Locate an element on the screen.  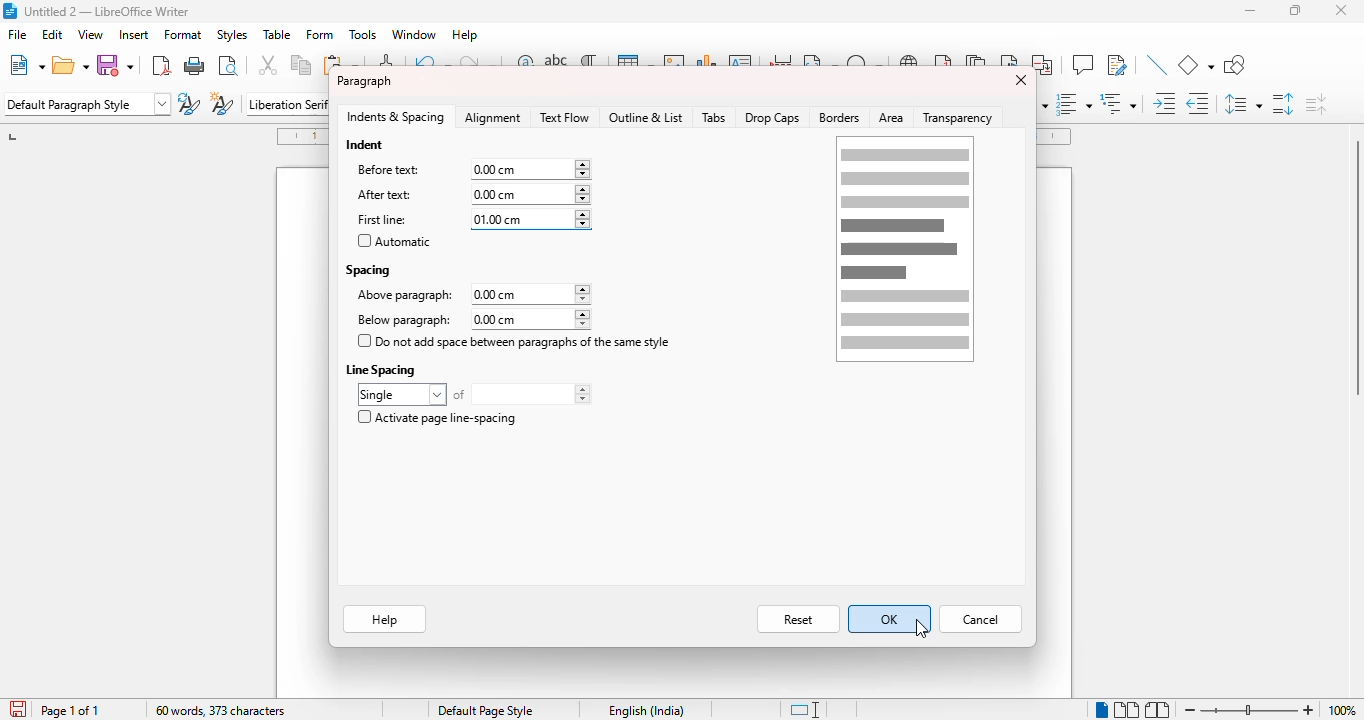
area is located at coordinates (892, 118).